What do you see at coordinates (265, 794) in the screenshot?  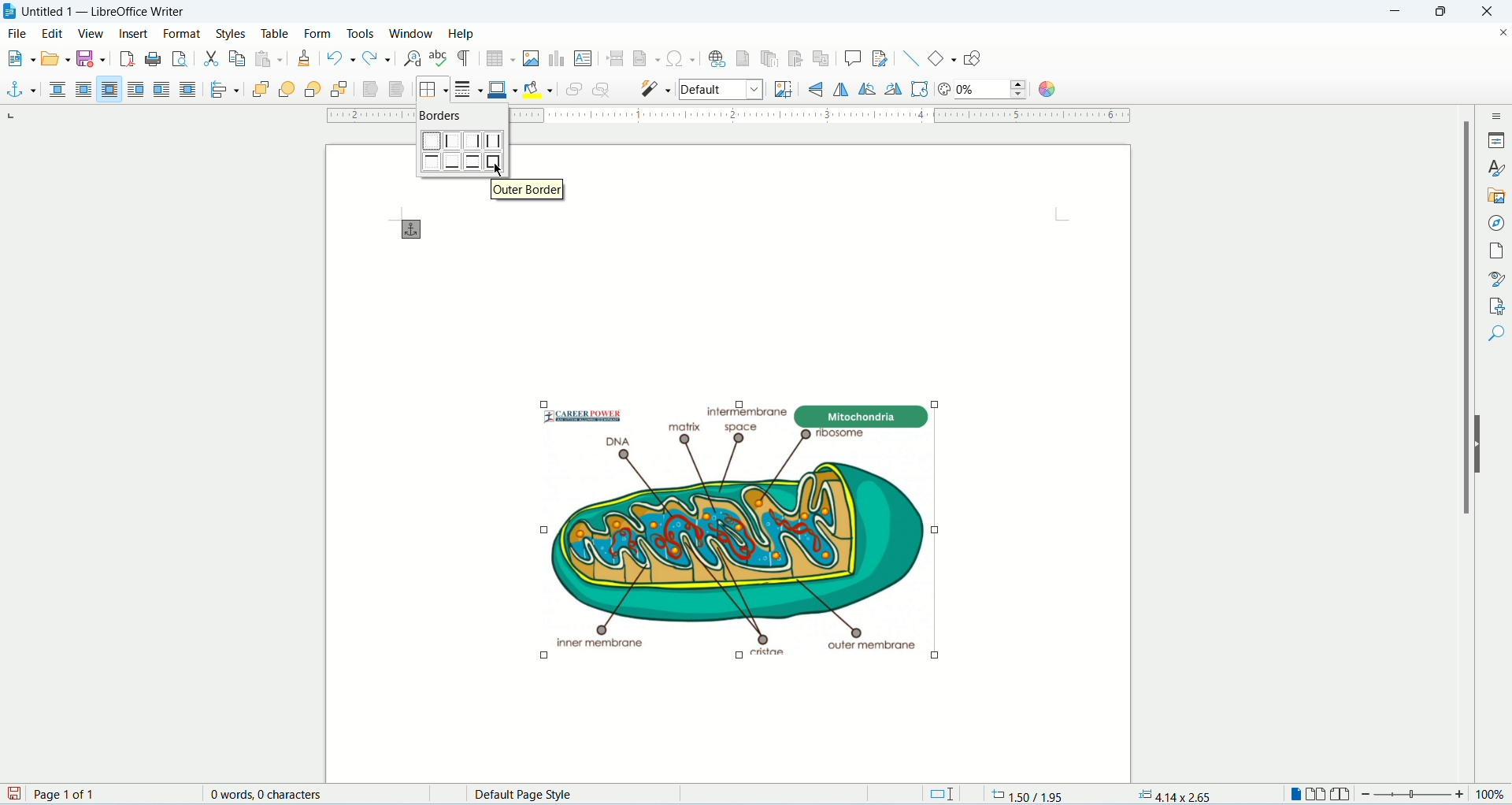 I see `0 words, 0 characters` at bounding box center [265, 794].